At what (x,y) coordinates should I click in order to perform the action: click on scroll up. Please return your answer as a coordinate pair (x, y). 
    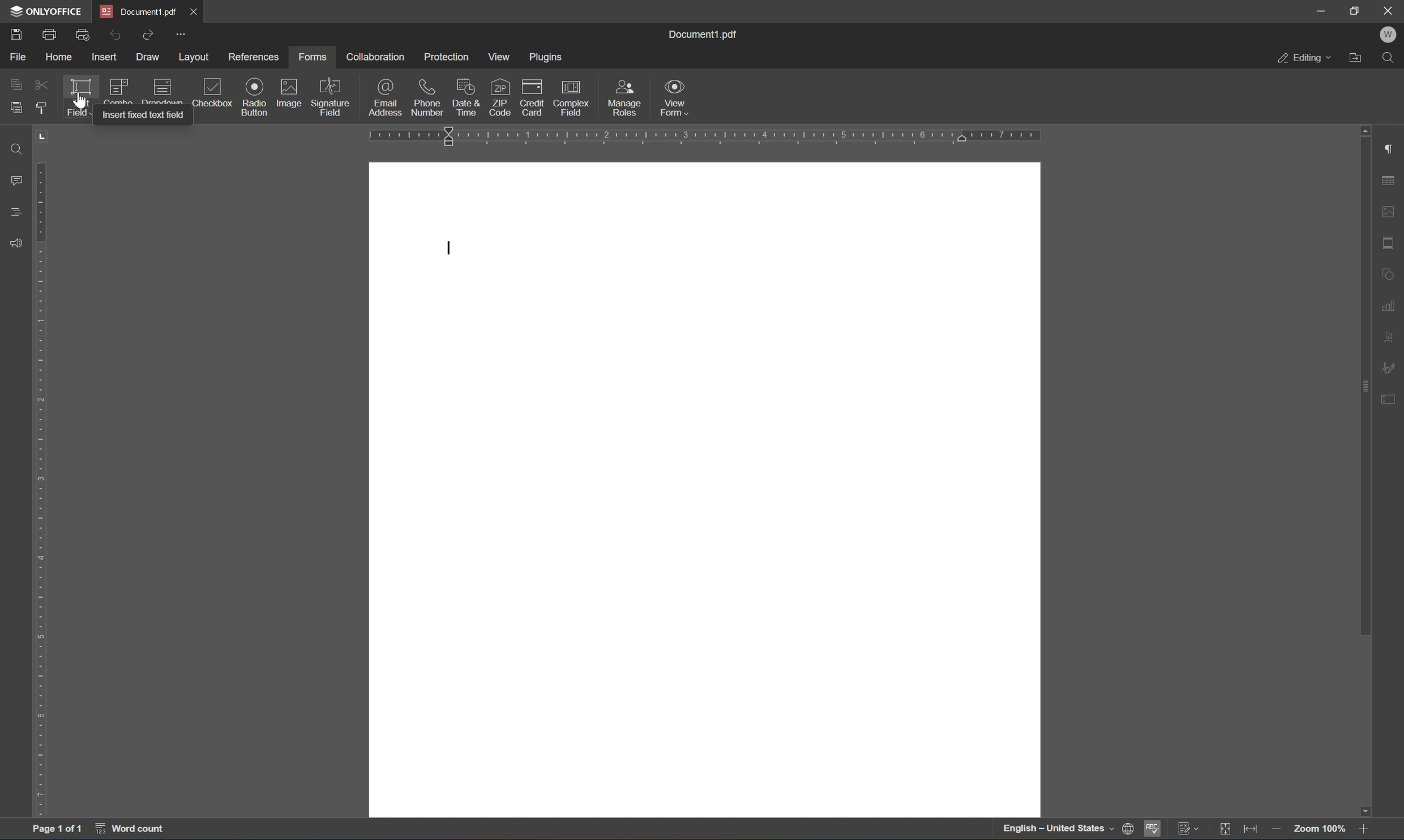
    Looking at the image, I should click on (1367, 130).